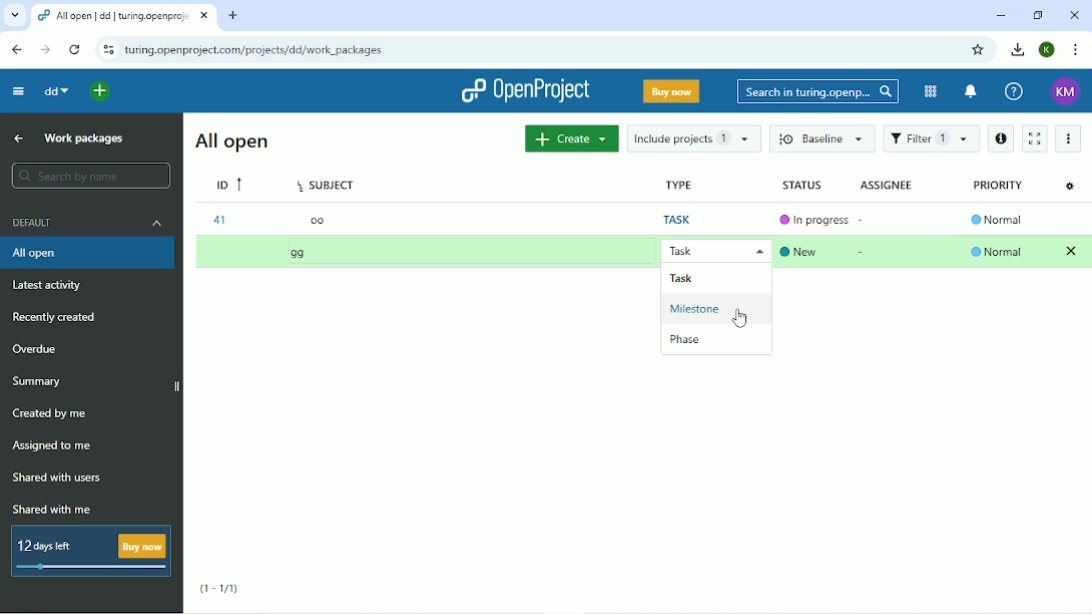  What do you see at coordinates (88, 225) in the screenshot?
I see `Default` at bounding box center [88, 225].